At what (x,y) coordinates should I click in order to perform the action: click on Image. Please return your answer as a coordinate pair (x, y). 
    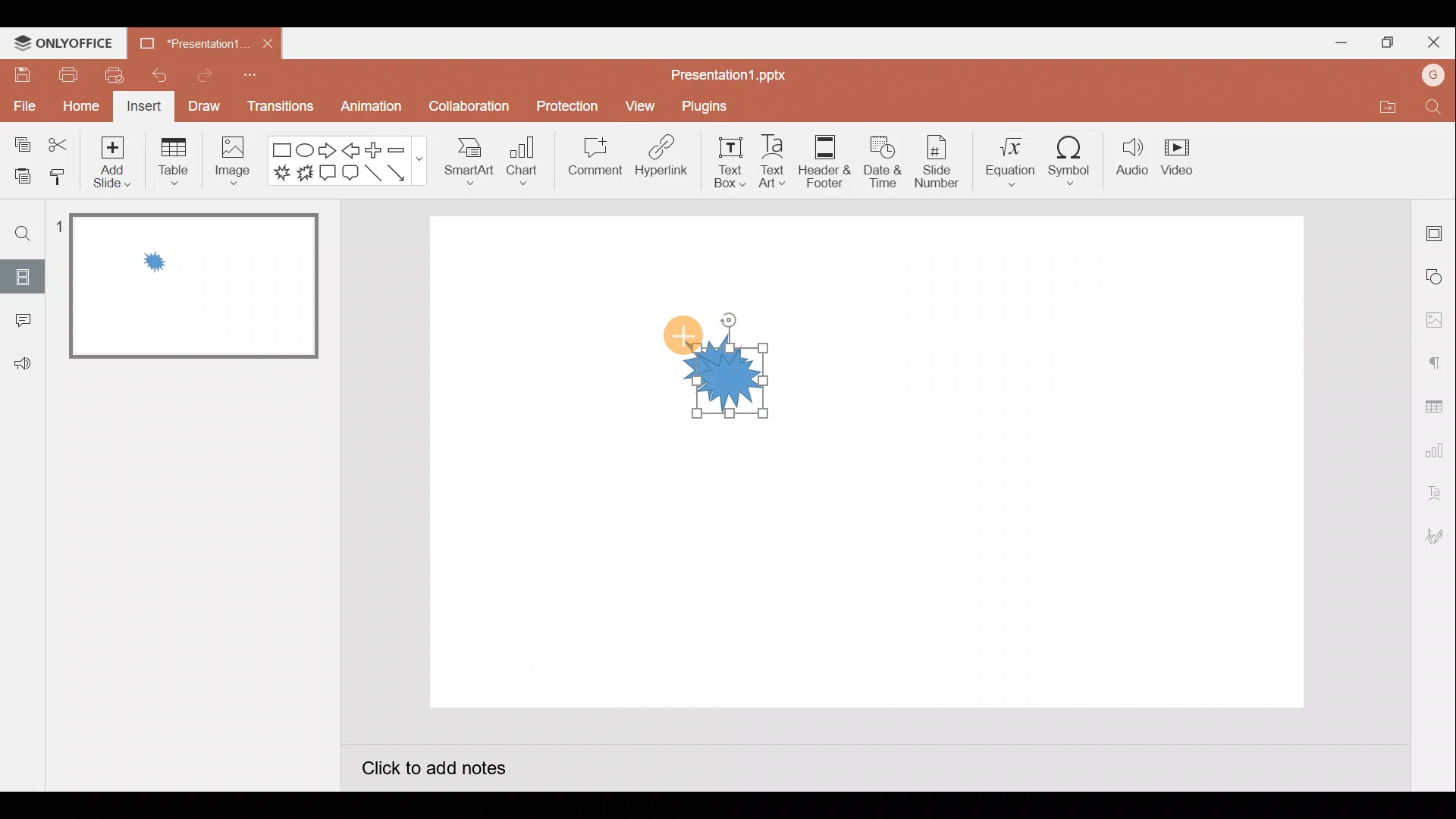
    Looking at the image, I should click on (237, 162).